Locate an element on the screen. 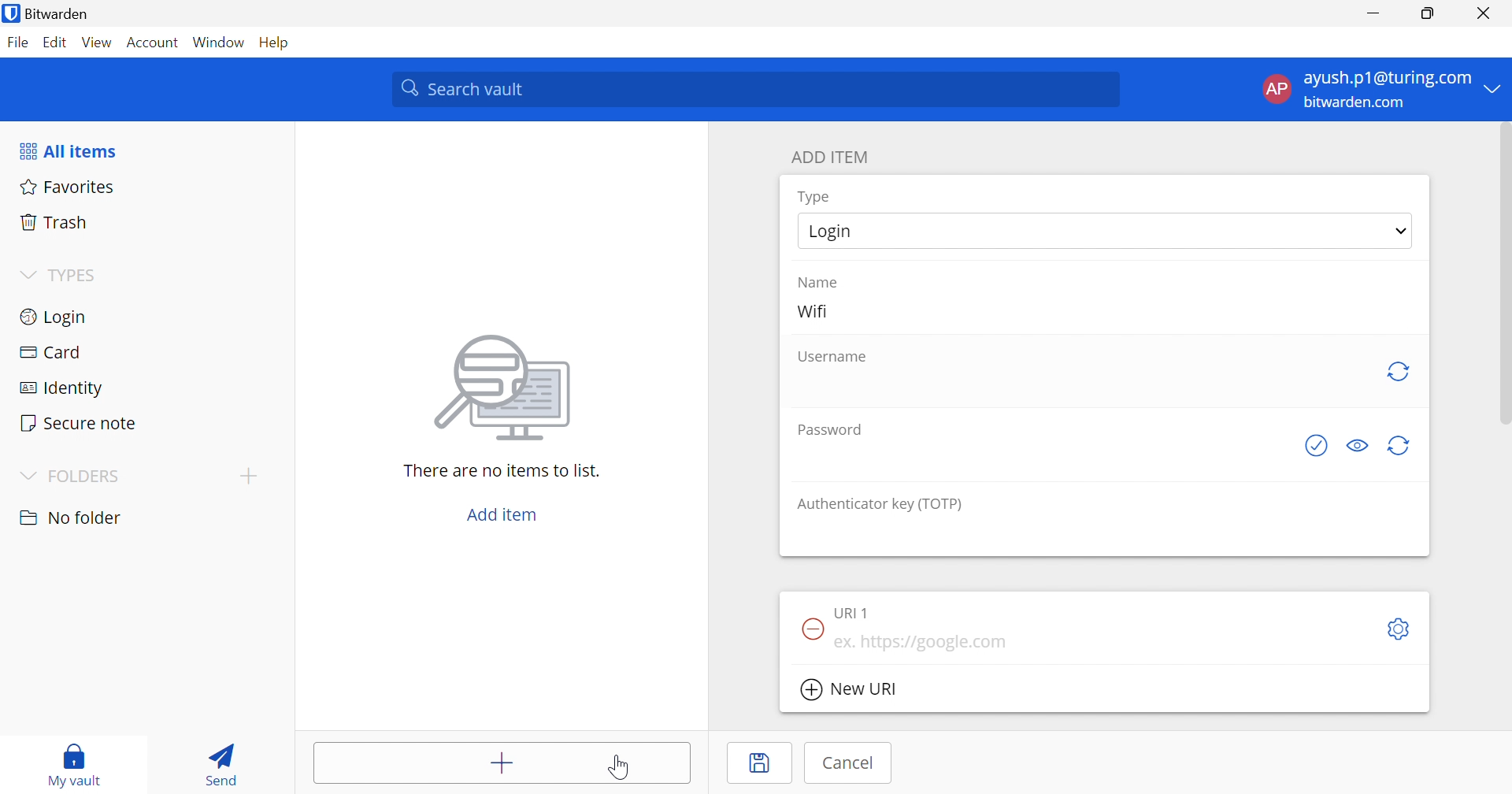 This screenshot has width=1512, height=794. image is located at coordinates (507, 383).